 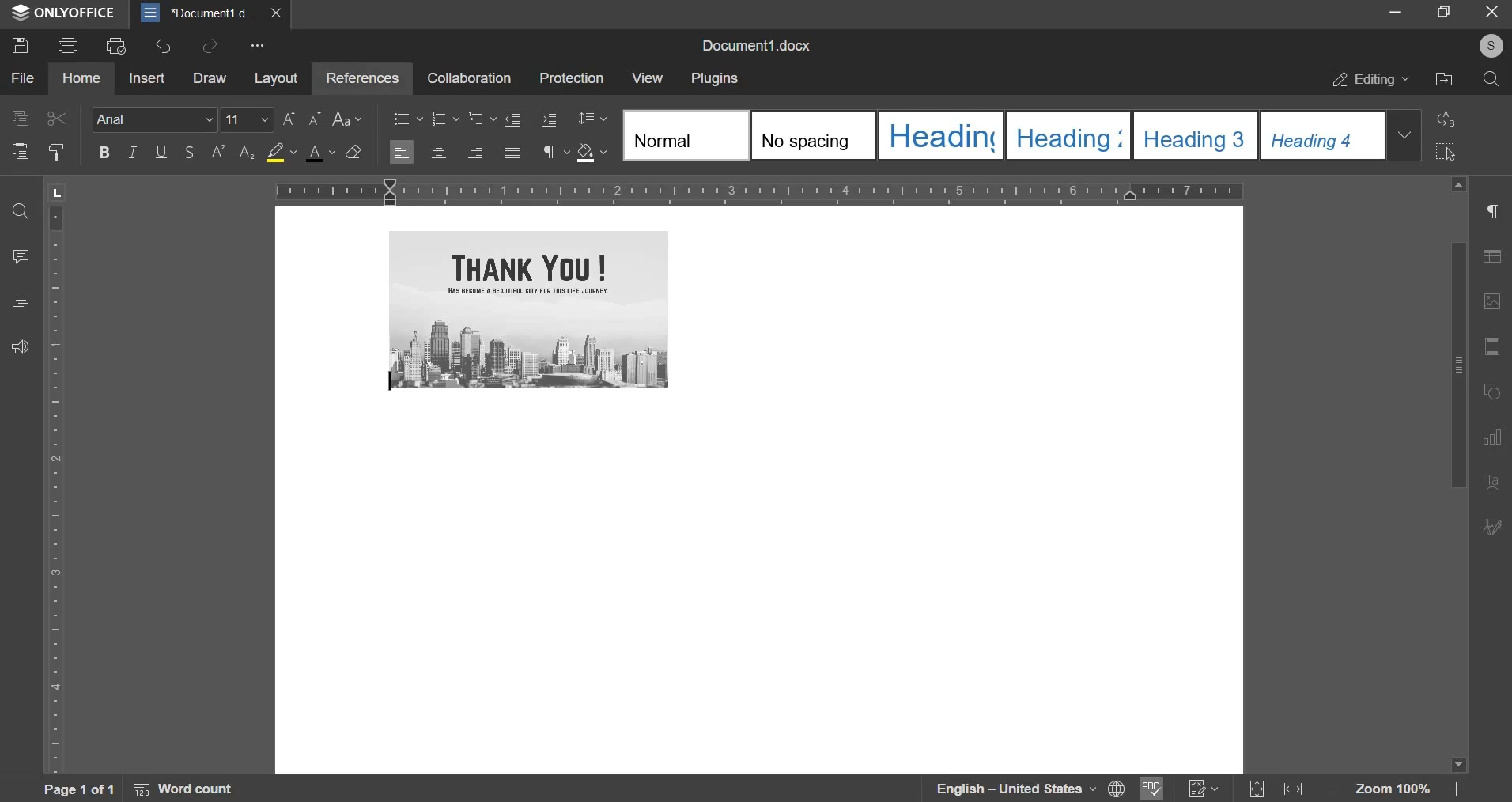 I want to click on right side menu, so click(x=1495, y=213).